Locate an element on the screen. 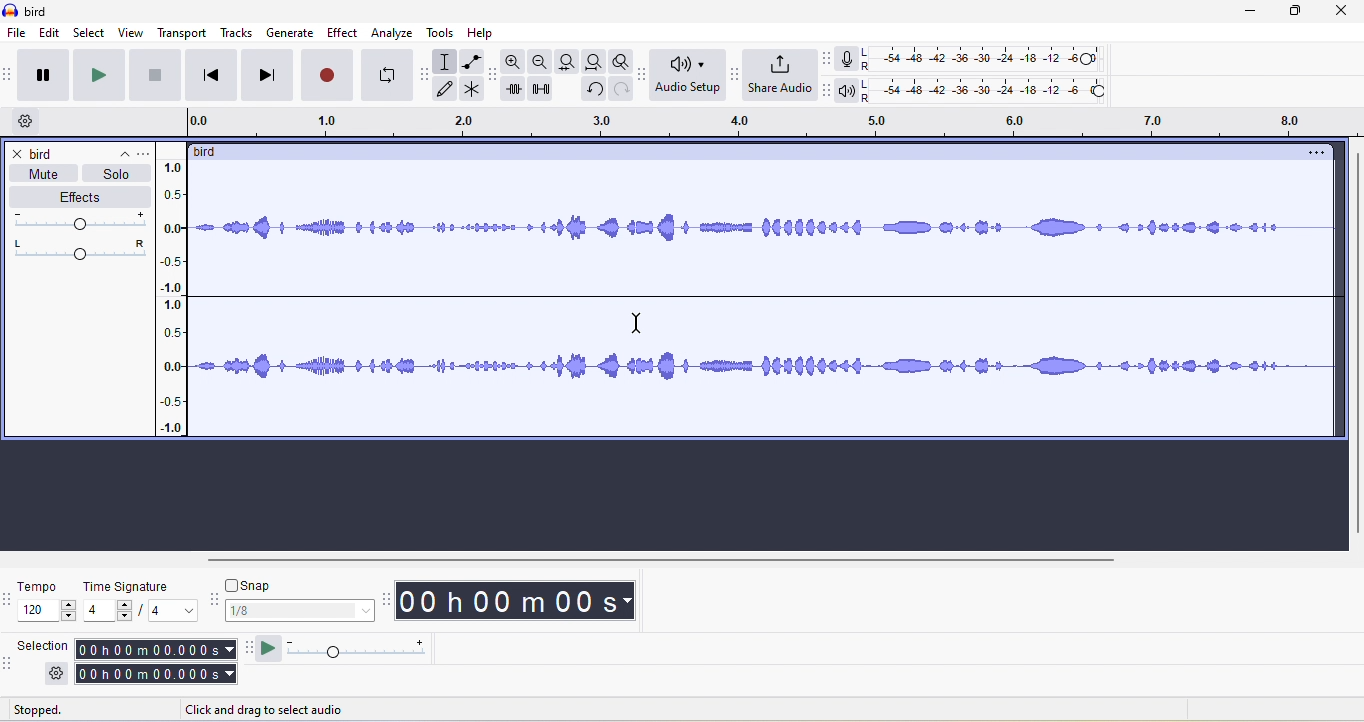 Image resolution: width=1364 pixels, height=722 pixels. draw tool is located at coordinates (450, 90).